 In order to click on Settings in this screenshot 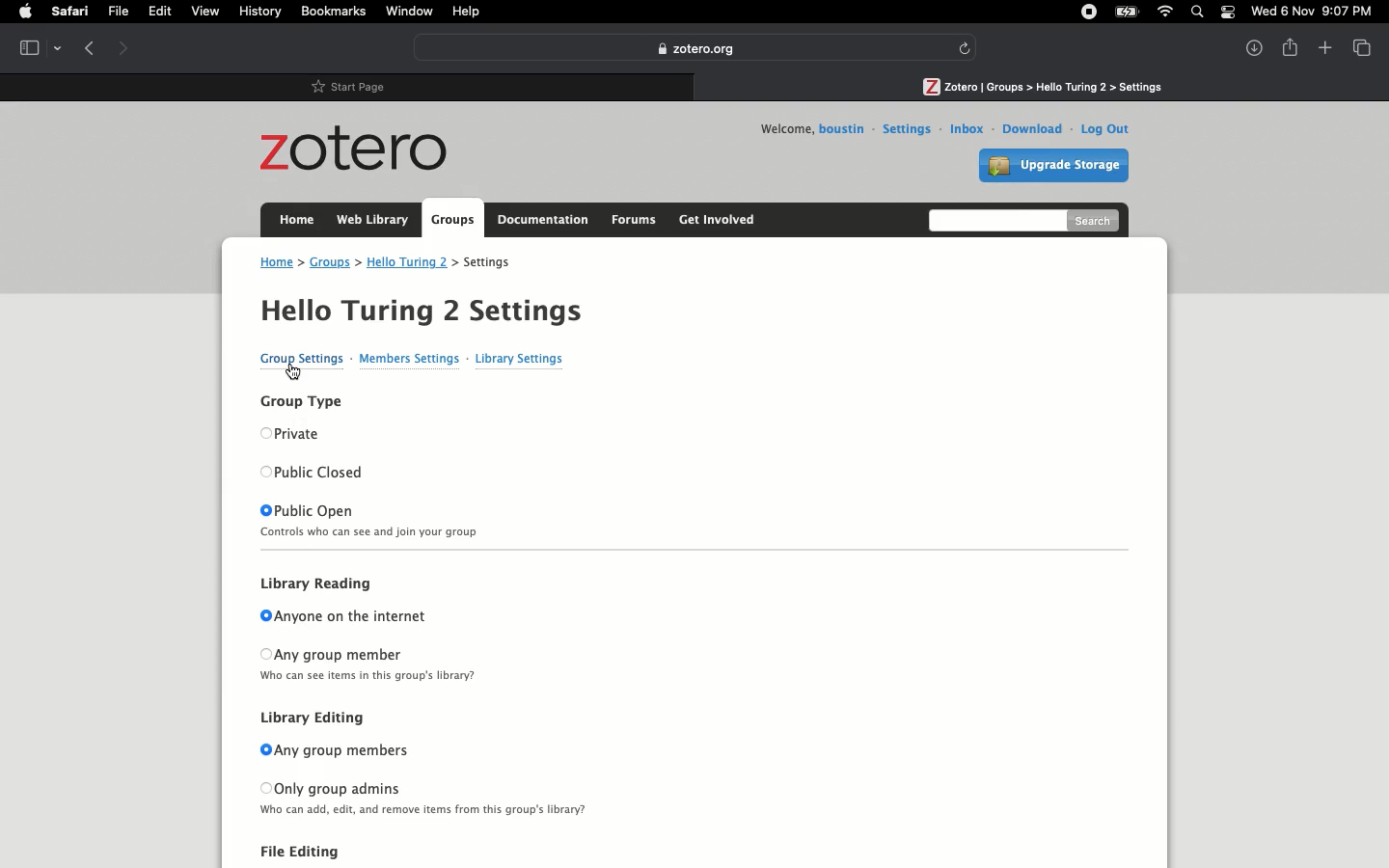, I will do `click(907, 129)`.